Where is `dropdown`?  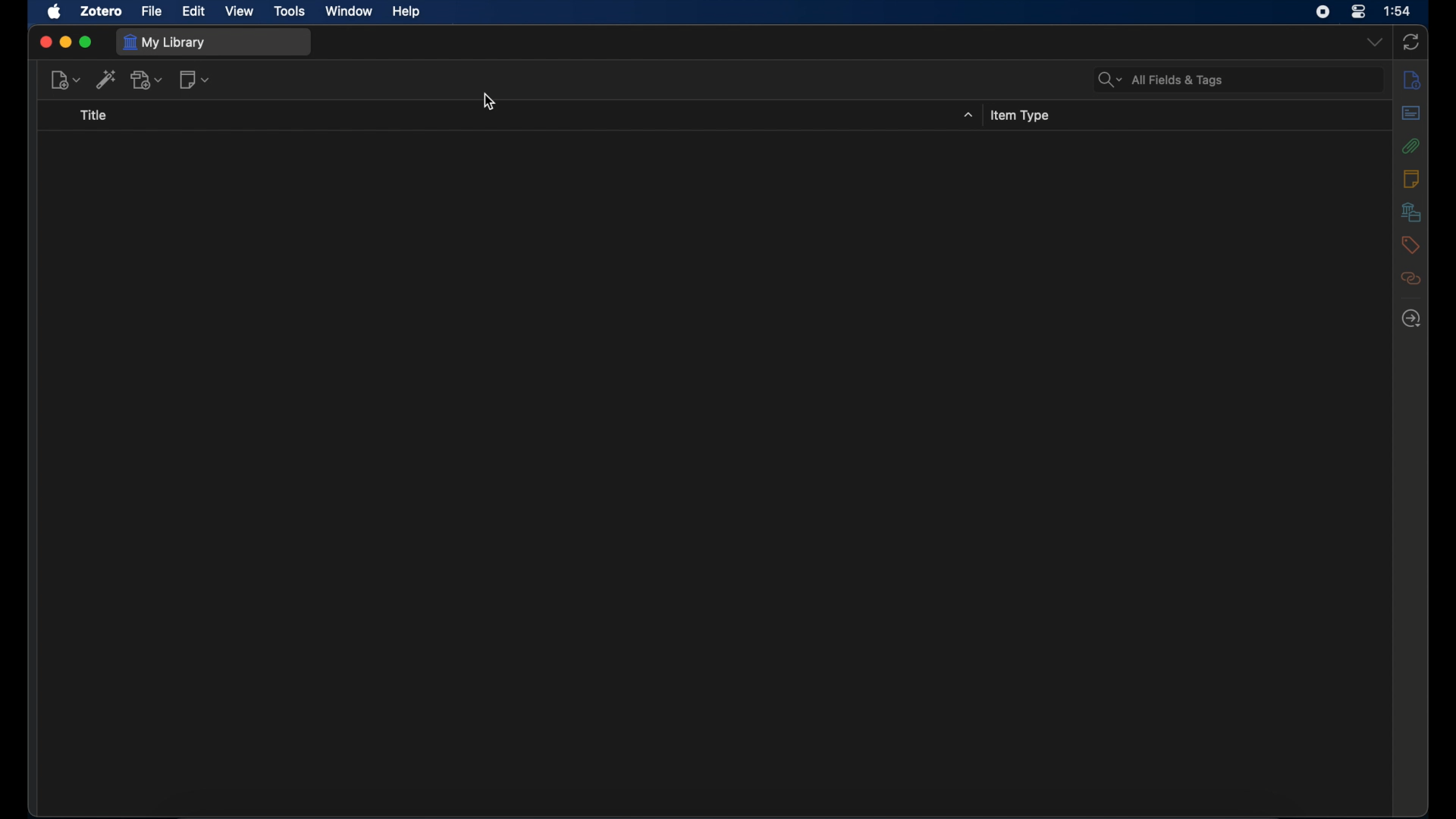
dropdown is located at coordinates (1374, 42).